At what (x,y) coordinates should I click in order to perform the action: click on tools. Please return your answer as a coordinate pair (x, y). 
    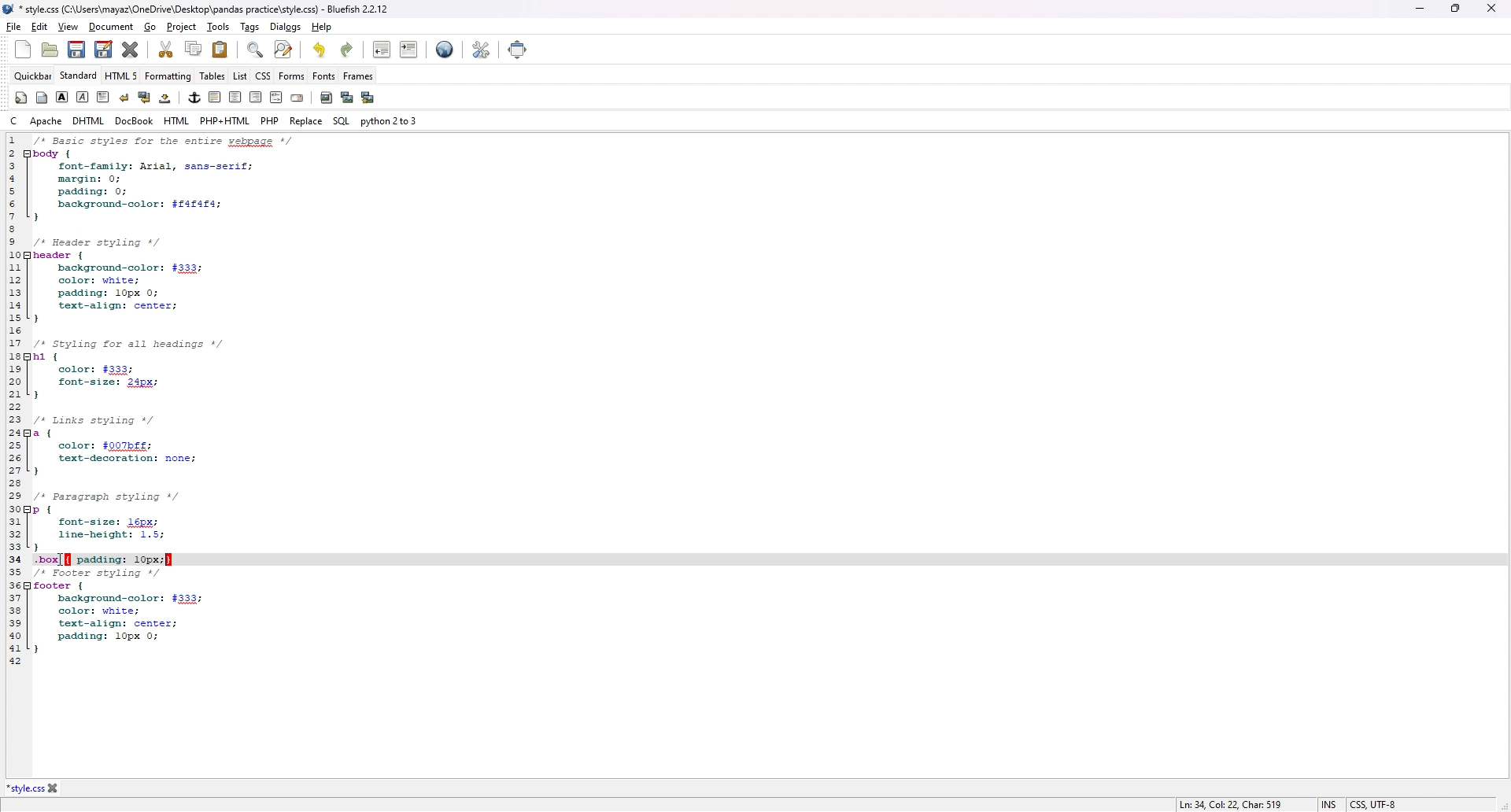
    Looking at the image, I should click on (218, 26).